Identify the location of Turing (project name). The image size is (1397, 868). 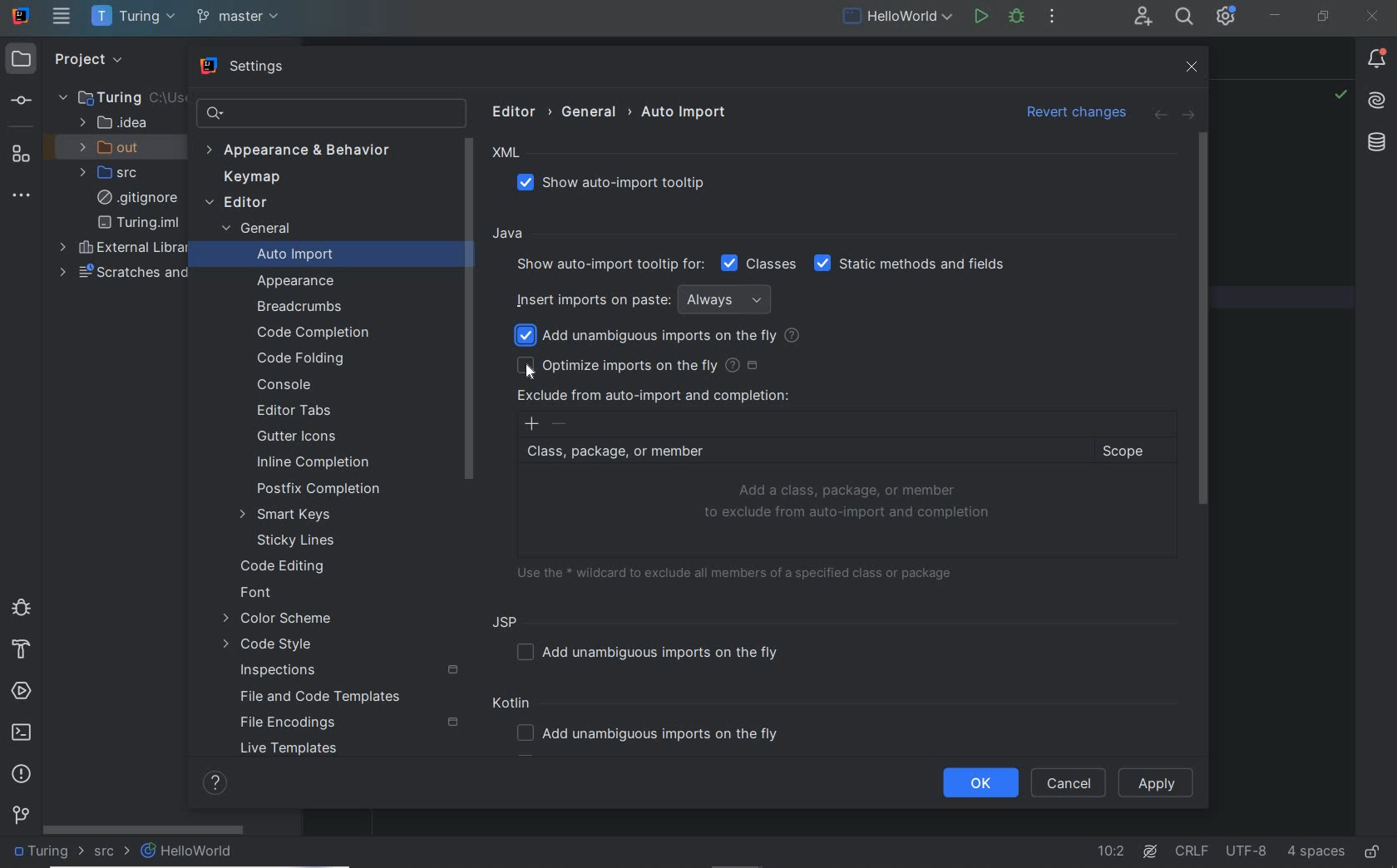
(48, 854).